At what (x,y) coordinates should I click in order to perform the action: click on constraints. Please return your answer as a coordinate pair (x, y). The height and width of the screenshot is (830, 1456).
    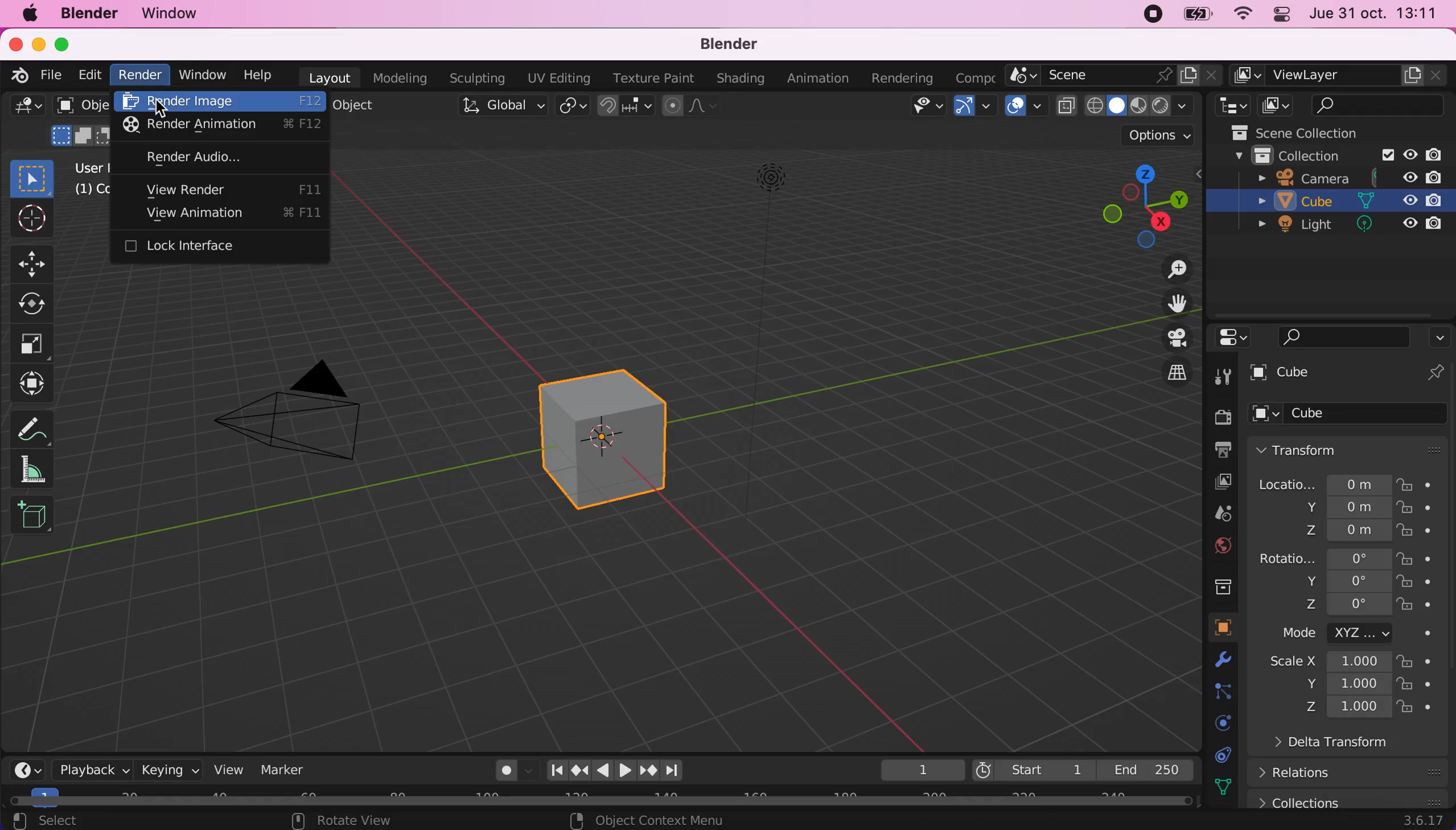
    Looking at the image, I should click on (1225, 693).